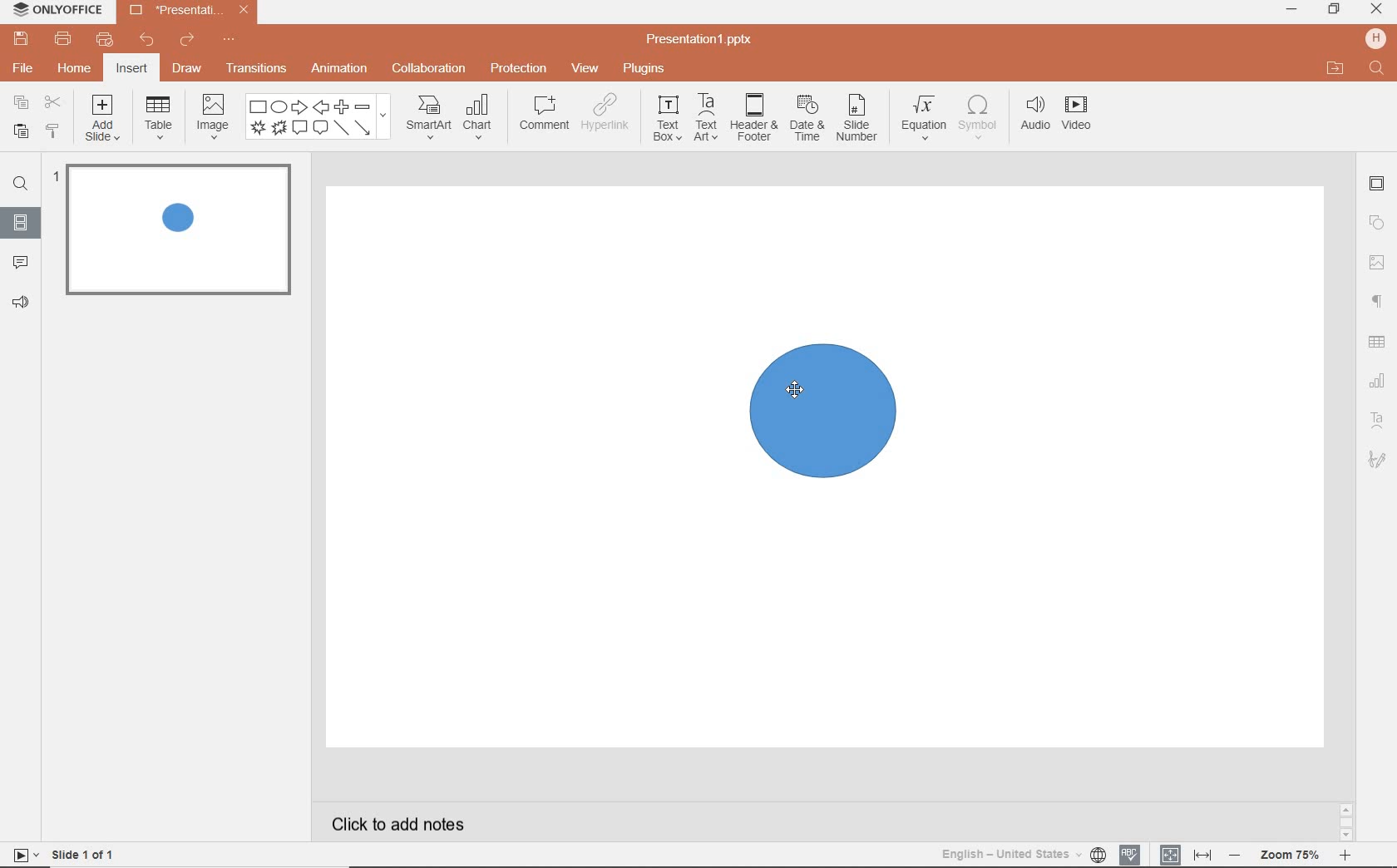 The image size is (1397, 868). What do you see at coordinates (544, 112) in the screenshot?
I see `comment` at bounding box center [544, 112].